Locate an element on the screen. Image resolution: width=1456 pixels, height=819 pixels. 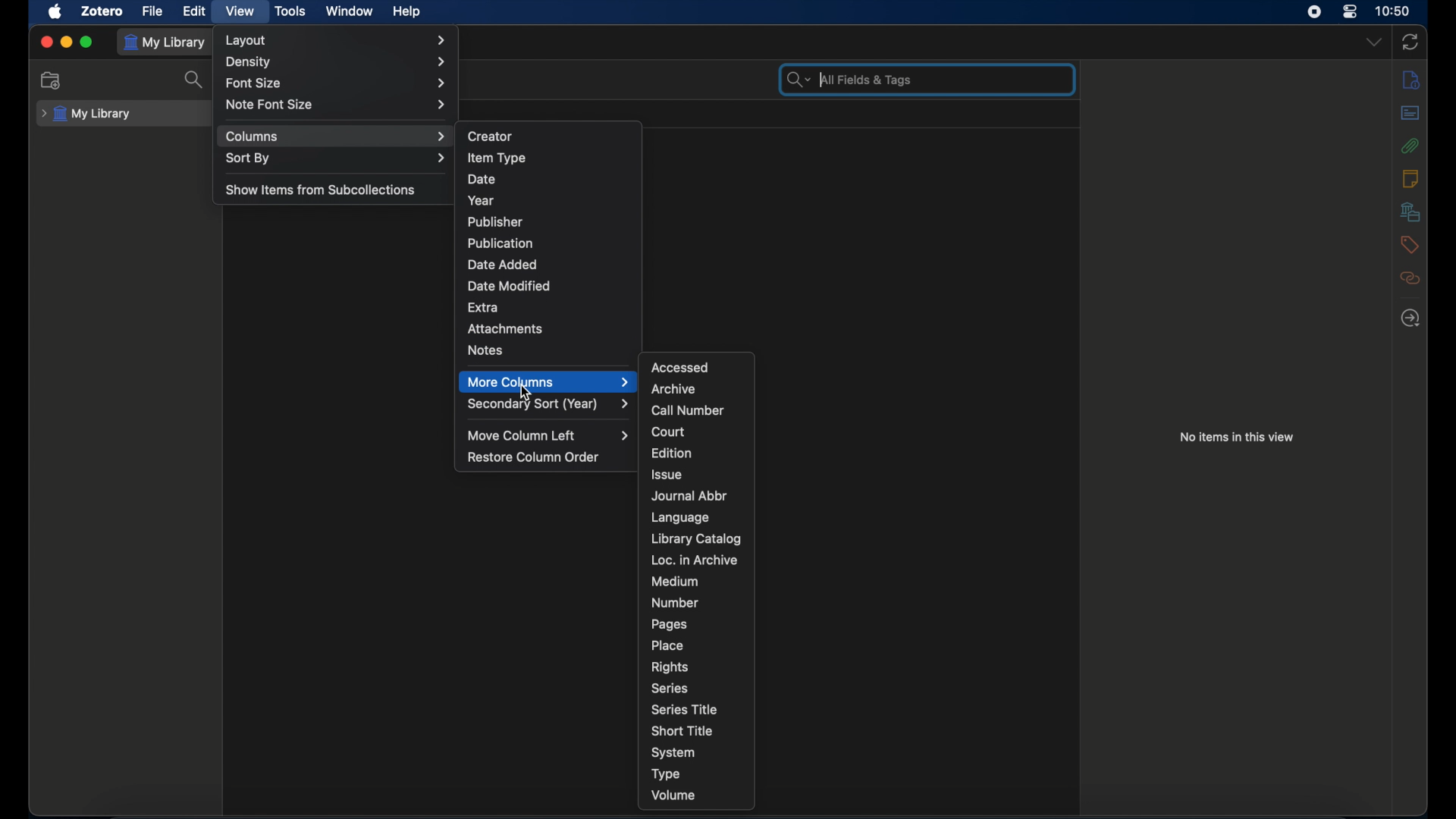
apple is located at coordinates (55, 11).